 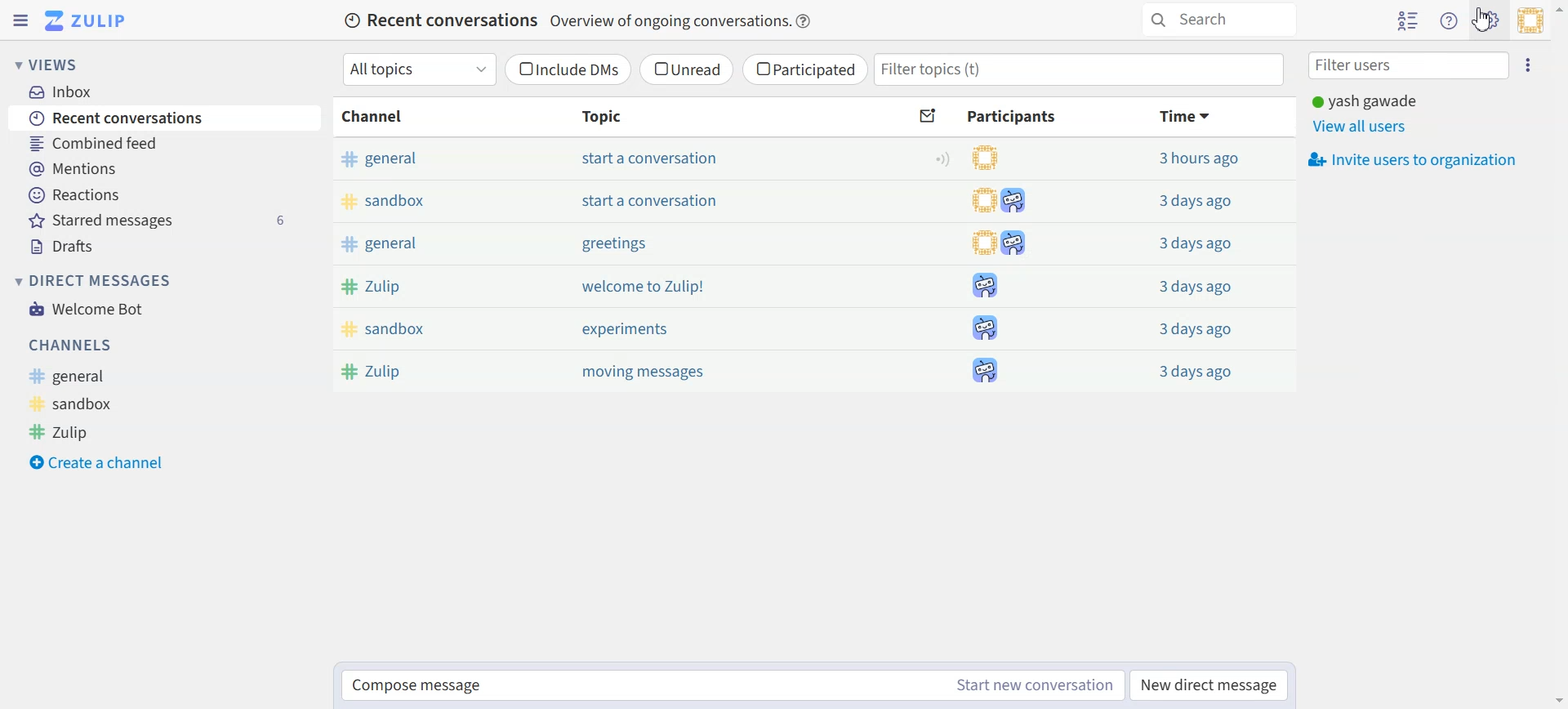 What do you see at coordinates (805, 69) in the screenshot?
I see `Participated` at bounding box center [805, 69].